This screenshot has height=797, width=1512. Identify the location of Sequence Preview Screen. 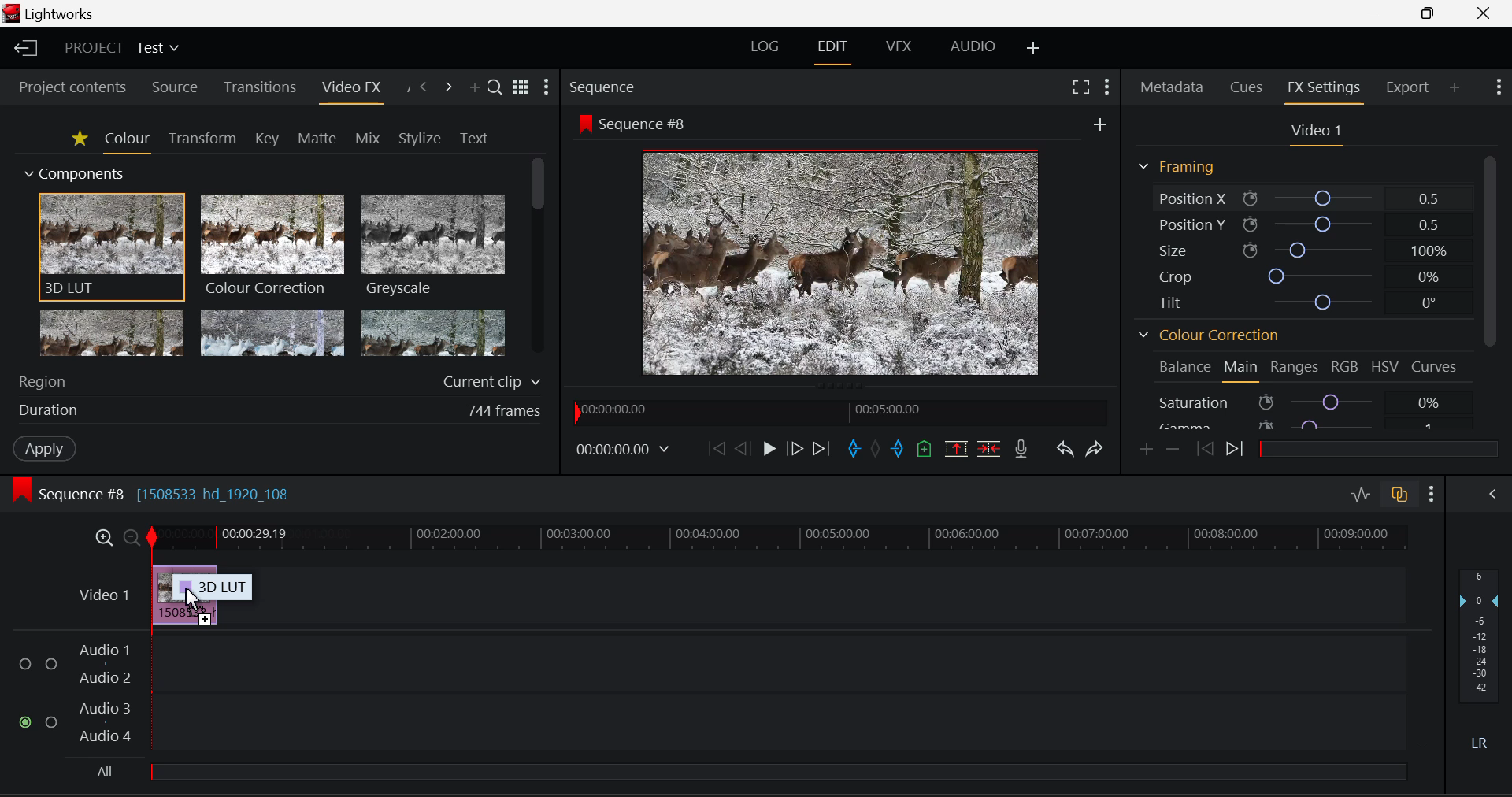
(837, 265).